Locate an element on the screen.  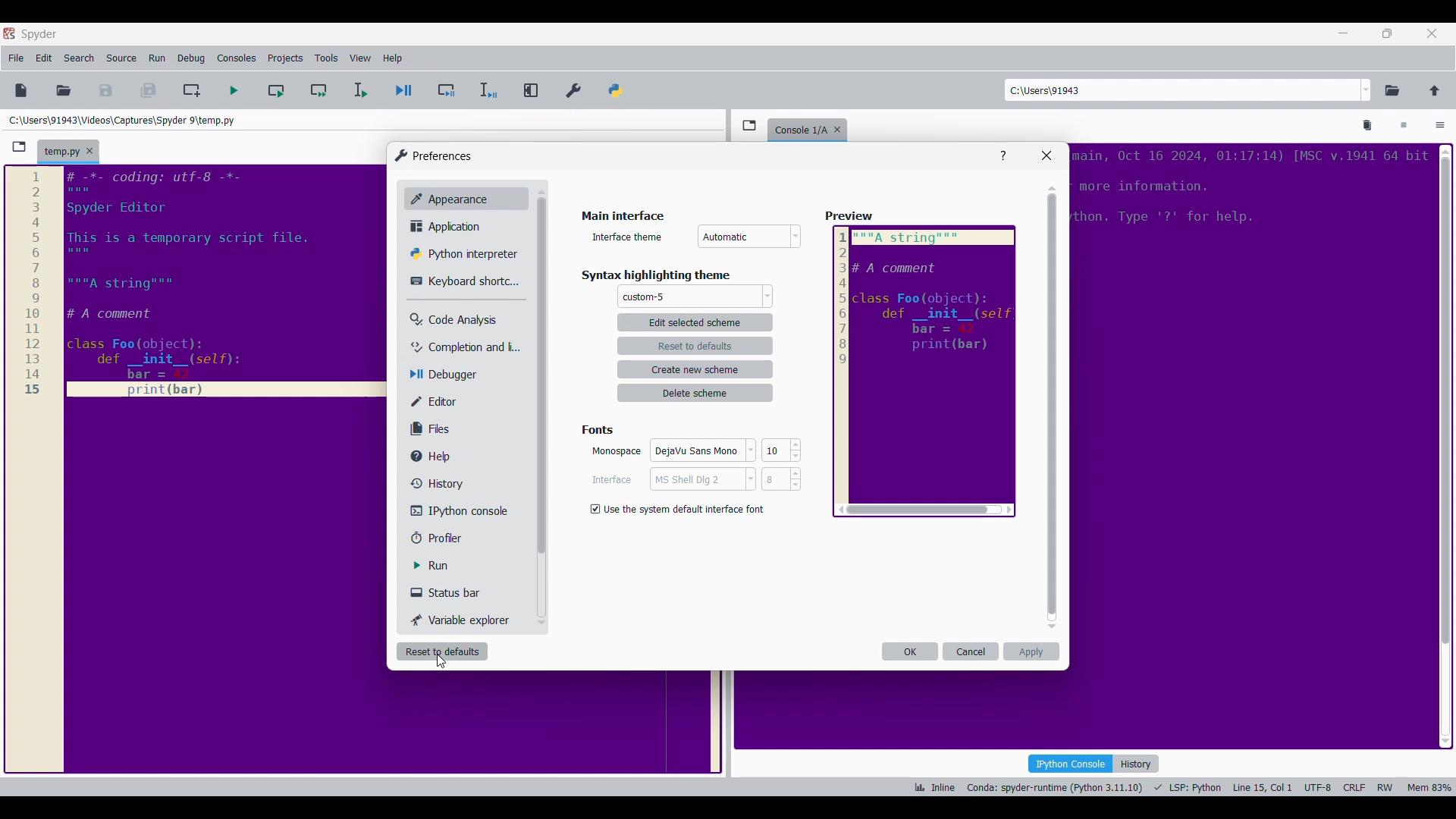
Run is located at coordinates (467, 566).